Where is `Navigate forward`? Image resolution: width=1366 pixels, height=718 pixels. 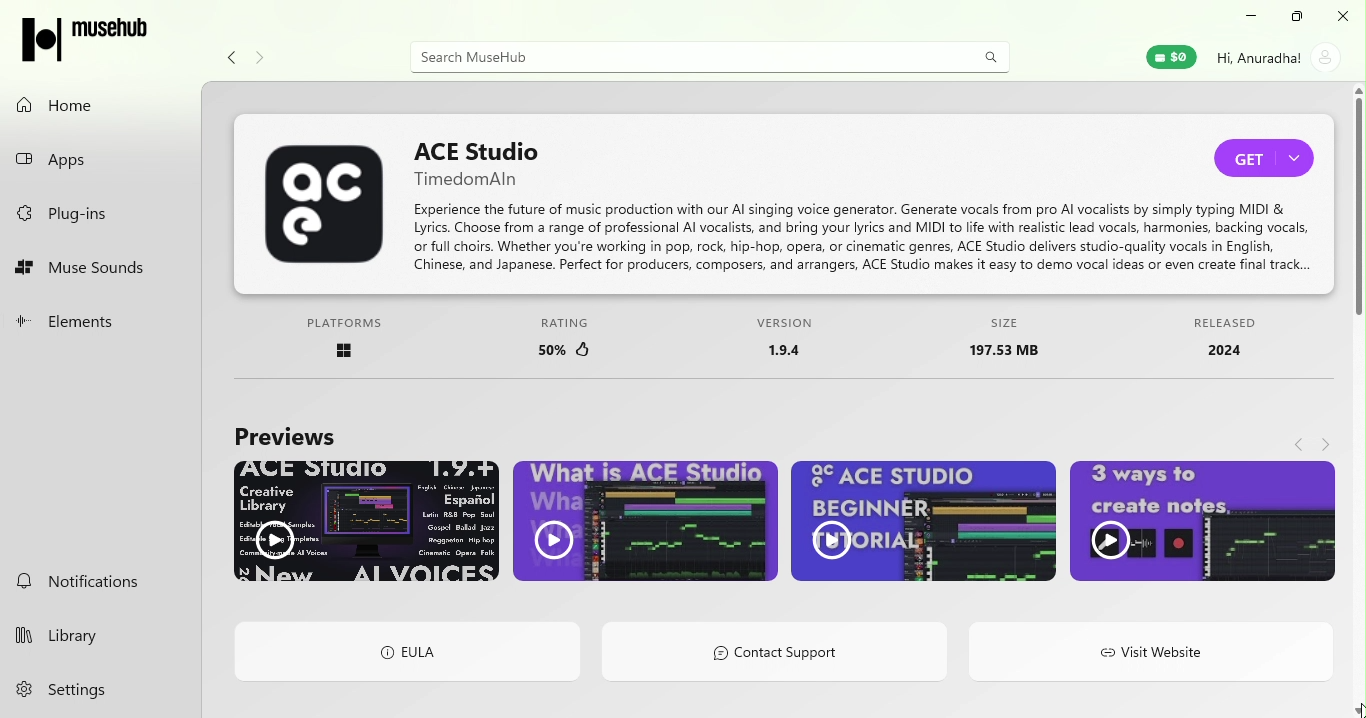 Navigate forward is located at coordinates (258, 53).